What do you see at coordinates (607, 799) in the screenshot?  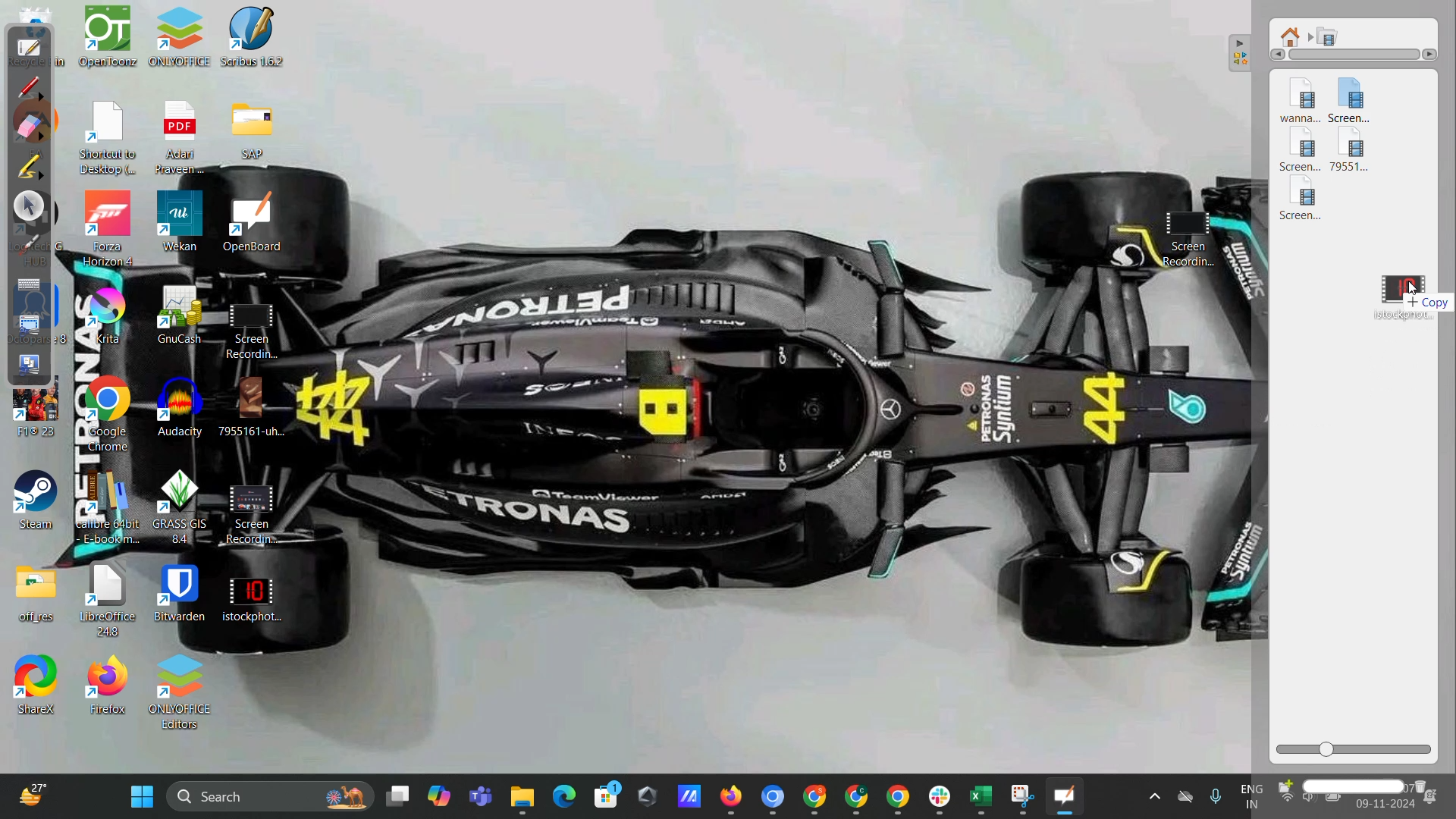 I see `microsoft store` at bounding box center [607, 799].